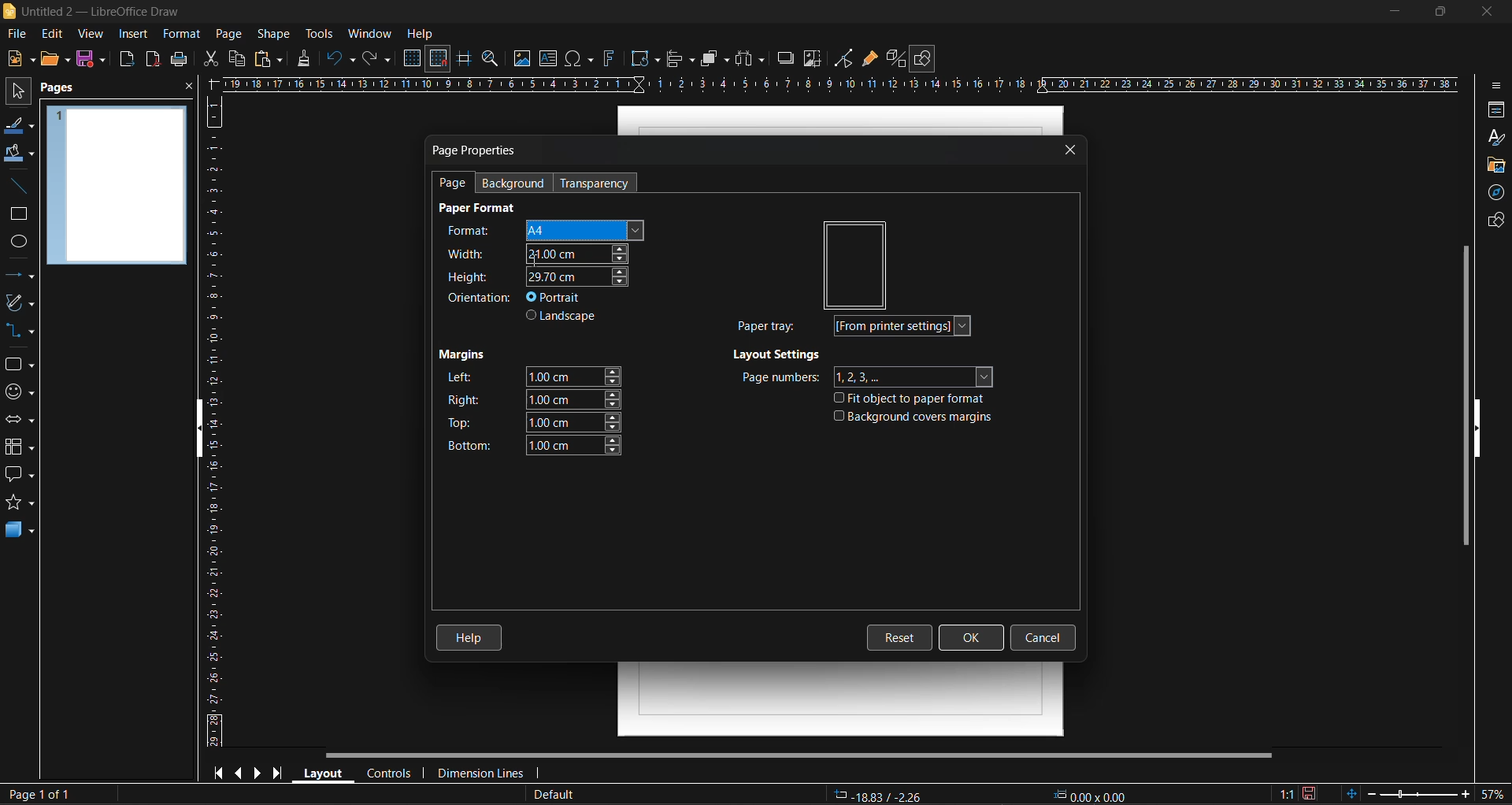 Image resolution: width=1512 pixels, height=805 pixels. I want to click on align objects, so click(681, 61).